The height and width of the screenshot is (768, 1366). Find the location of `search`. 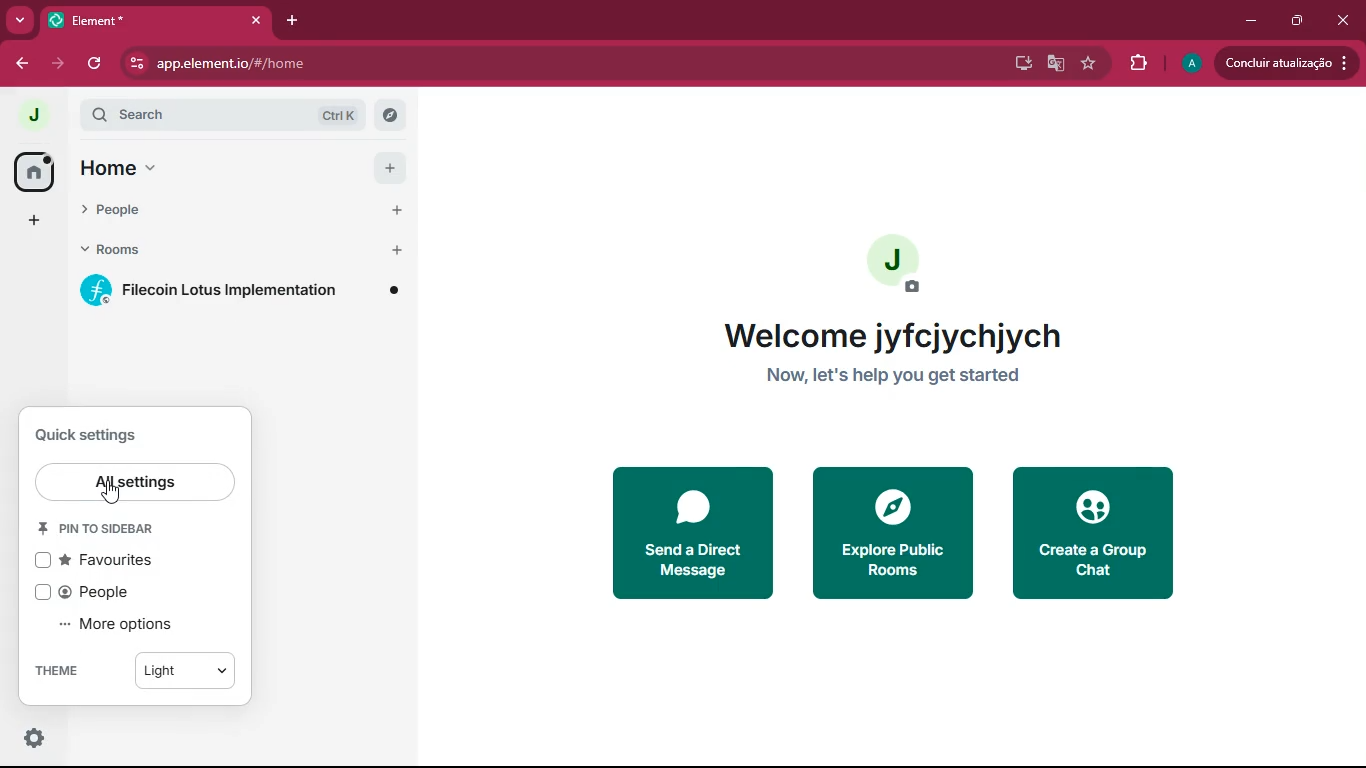

search is located at coordinates (236, 117).